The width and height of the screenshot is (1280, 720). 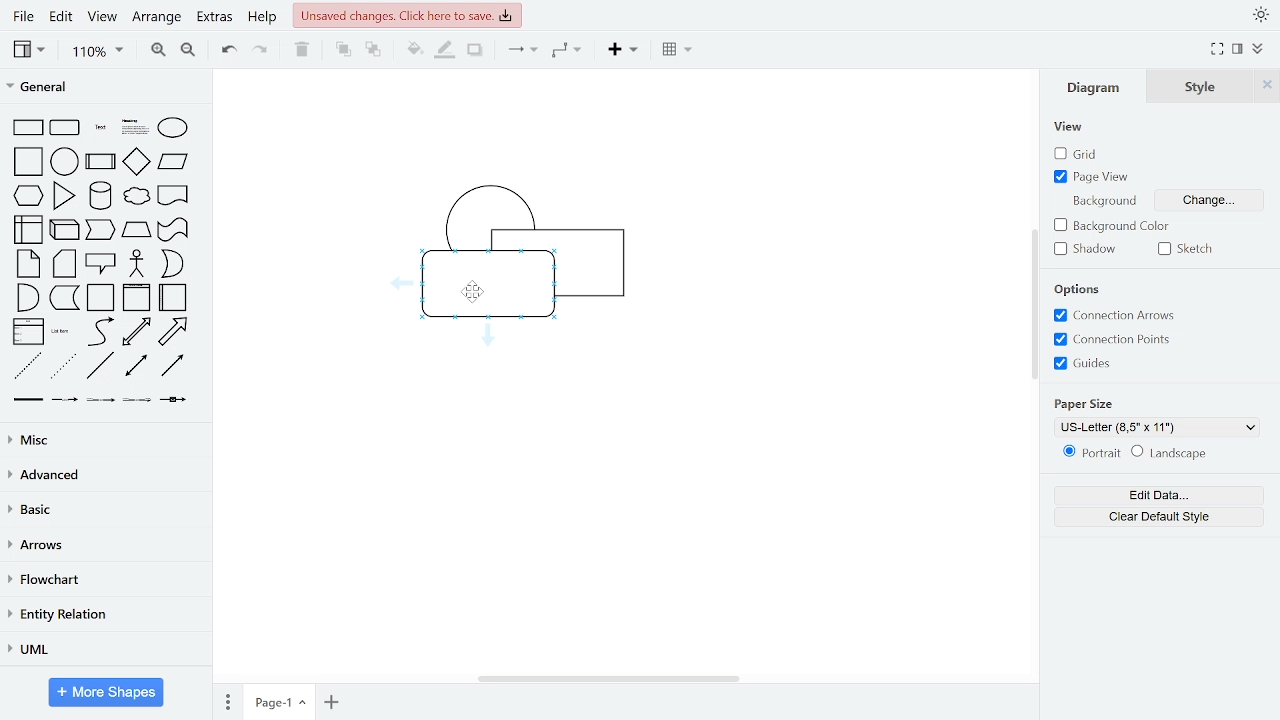 What do you see at coordinates (105, 613) in the screenshot?
I see `entity relation` at bounding box center [105, 613].